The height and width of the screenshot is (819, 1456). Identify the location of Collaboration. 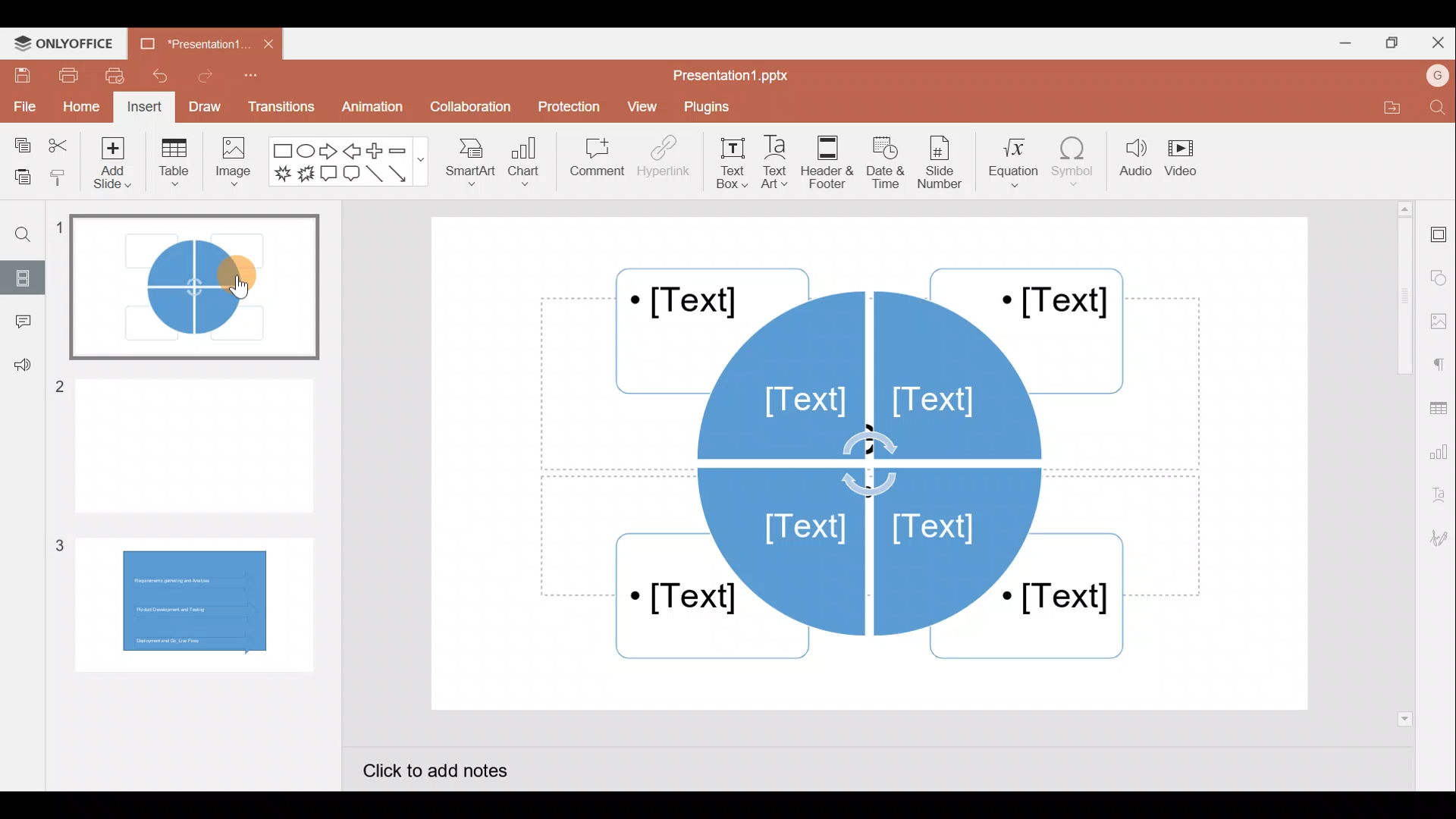
(469, 107).